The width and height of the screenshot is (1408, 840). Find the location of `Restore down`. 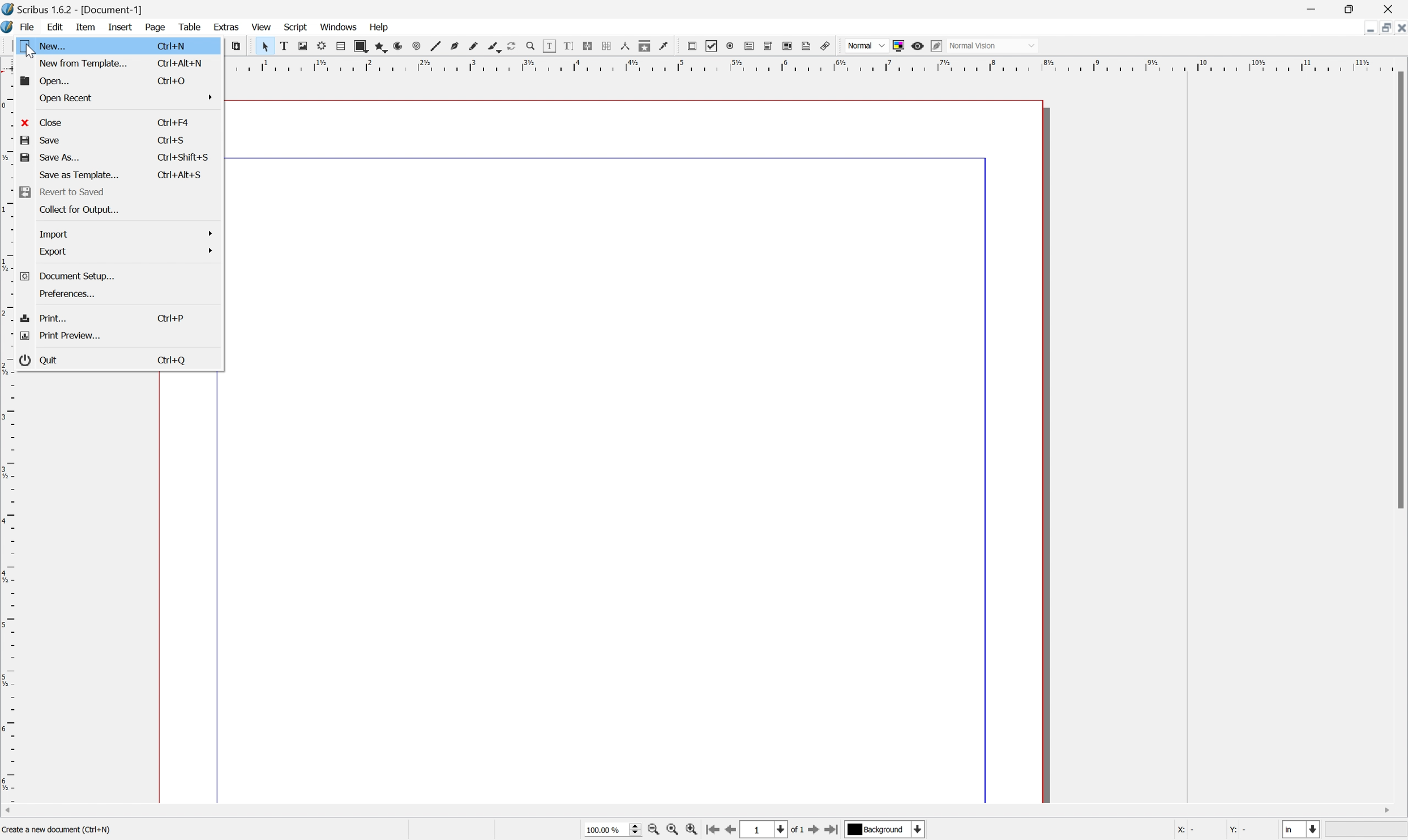

Restore down is located at coordinates (1380, 27).